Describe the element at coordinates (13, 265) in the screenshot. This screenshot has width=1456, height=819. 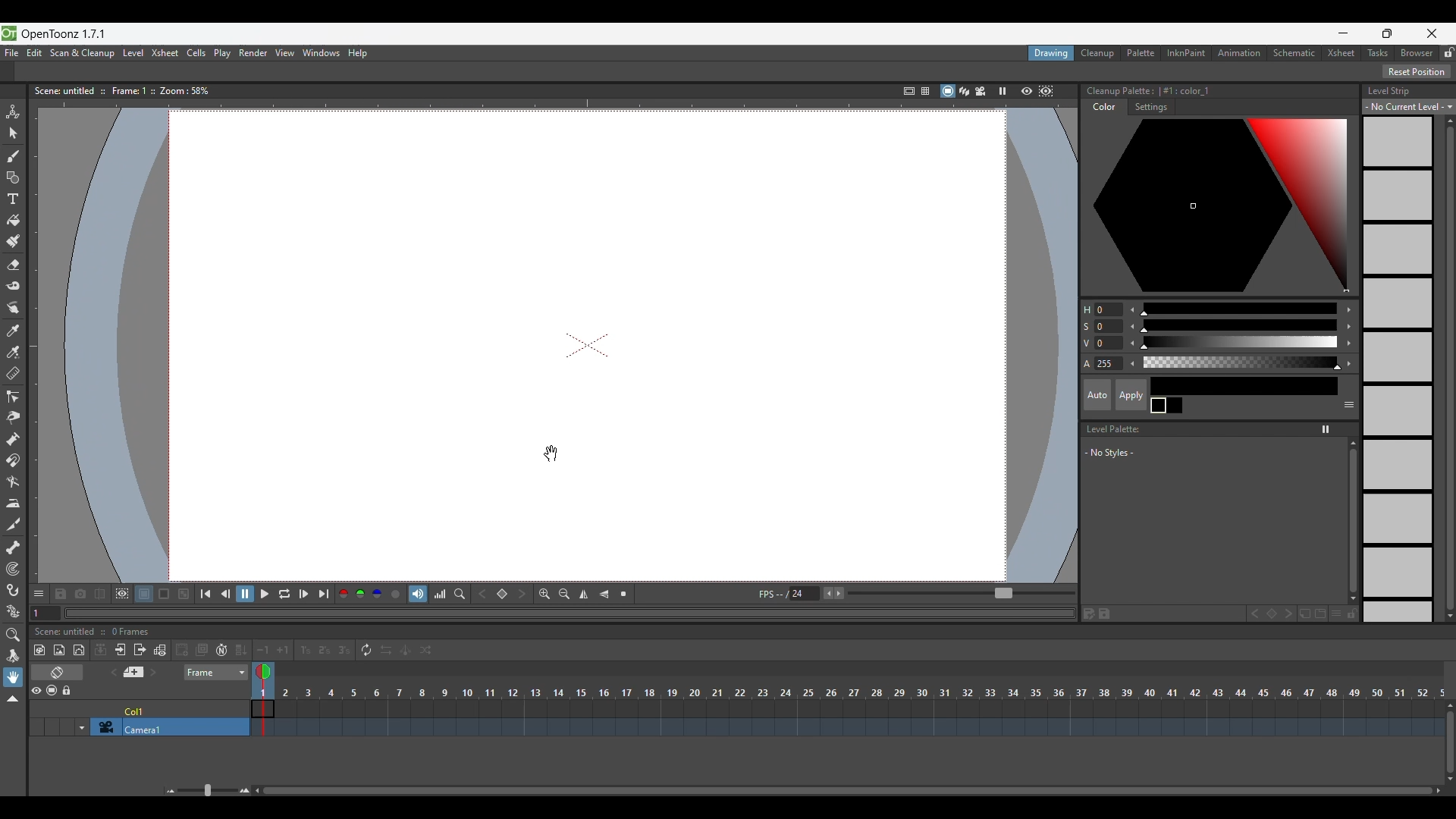
I see `Eraser tool` at that location.